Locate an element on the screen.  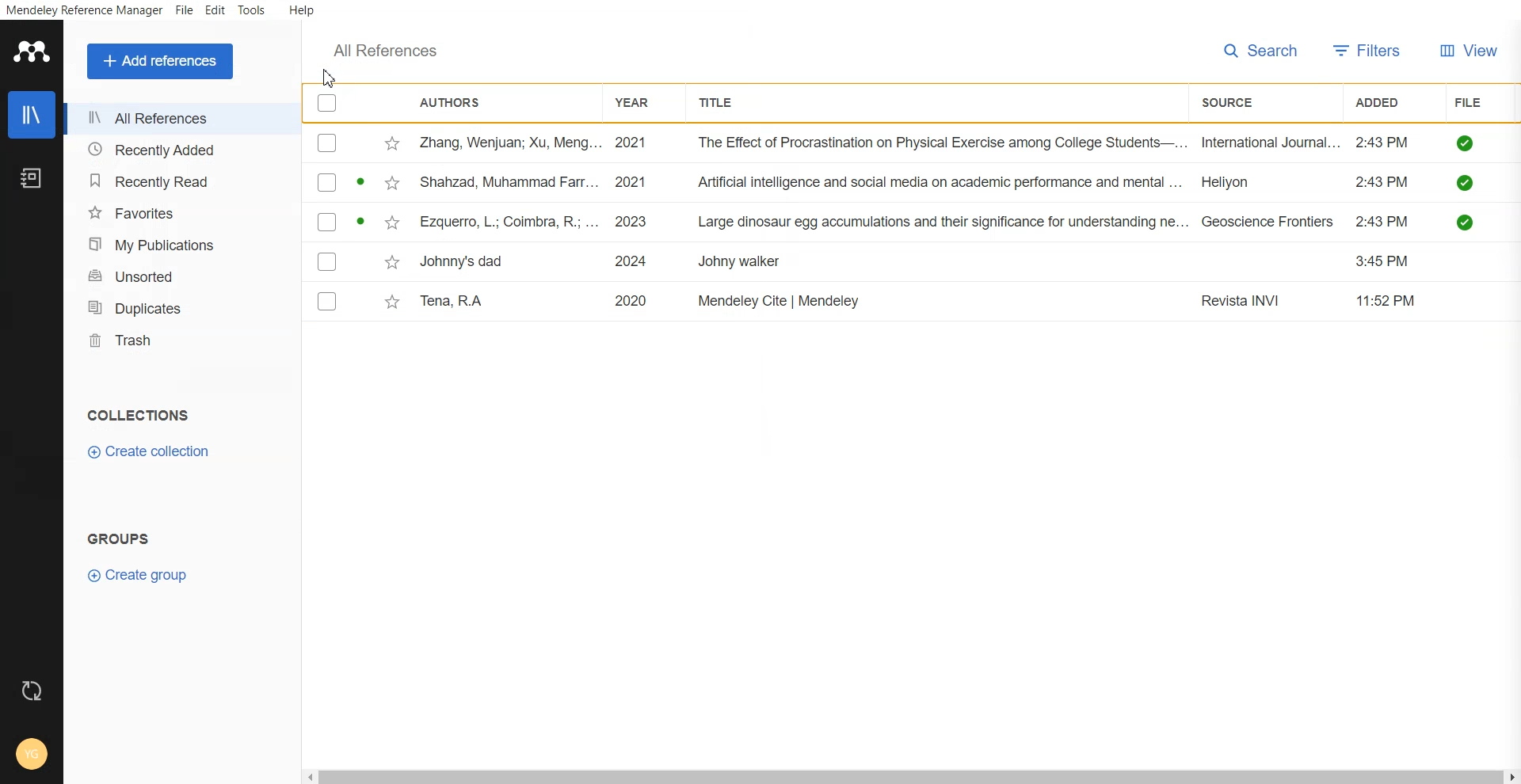
2:43PM is located at coordinates (1383, 143).